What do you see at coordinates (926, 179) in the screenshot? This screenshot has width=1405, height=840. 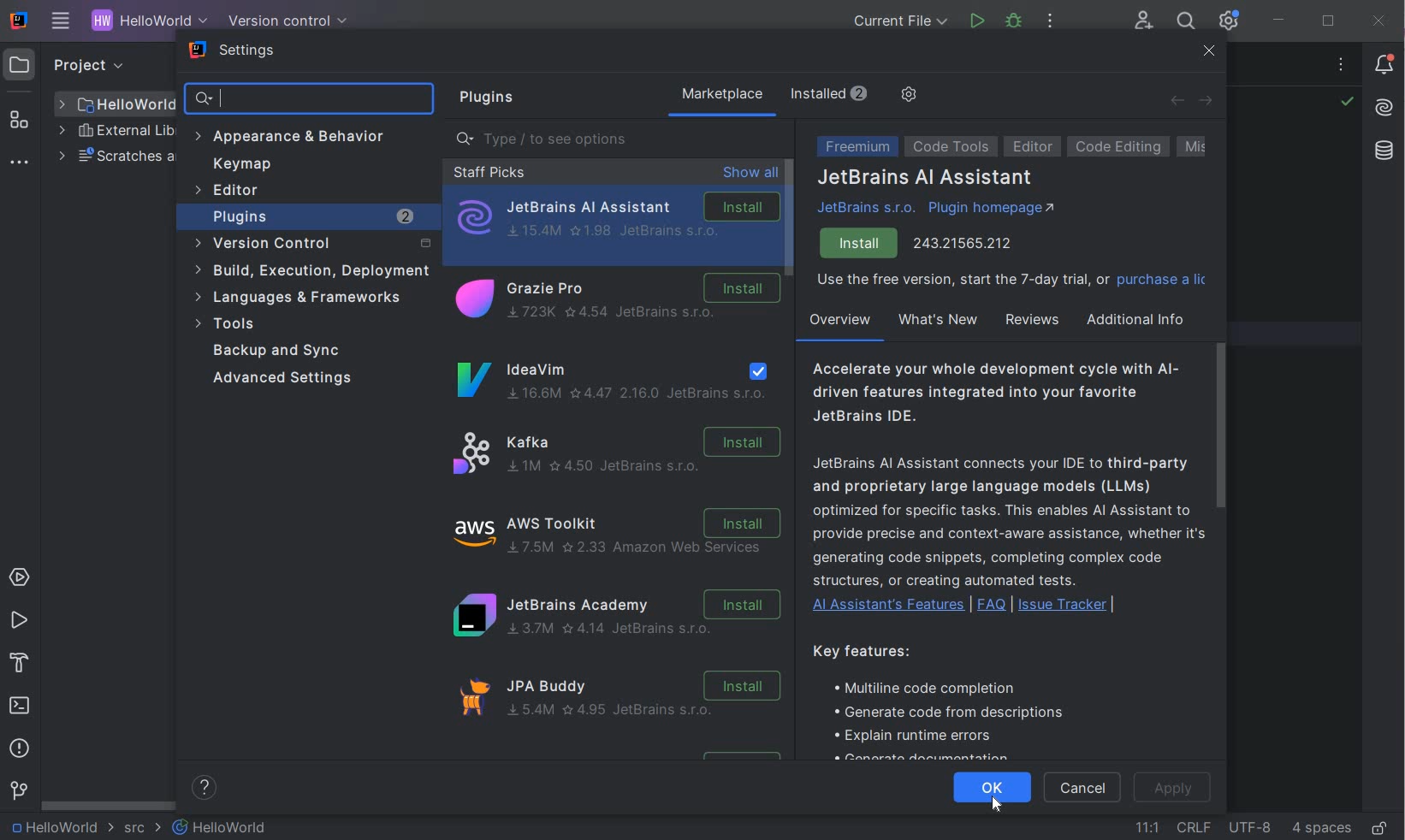 I see `JetBrains AI Assistant` at bounding box center [926, 179].